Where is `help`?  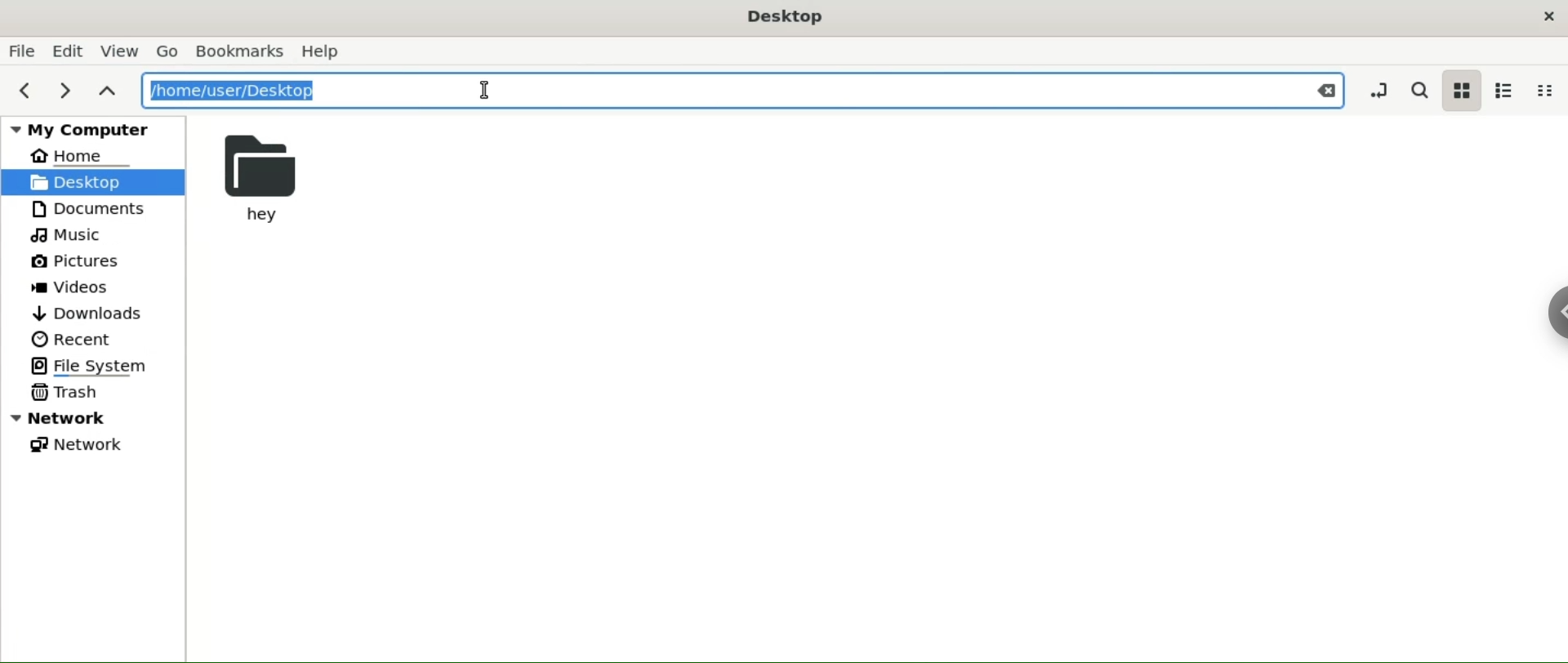 help is located at coordinates (320, 51).